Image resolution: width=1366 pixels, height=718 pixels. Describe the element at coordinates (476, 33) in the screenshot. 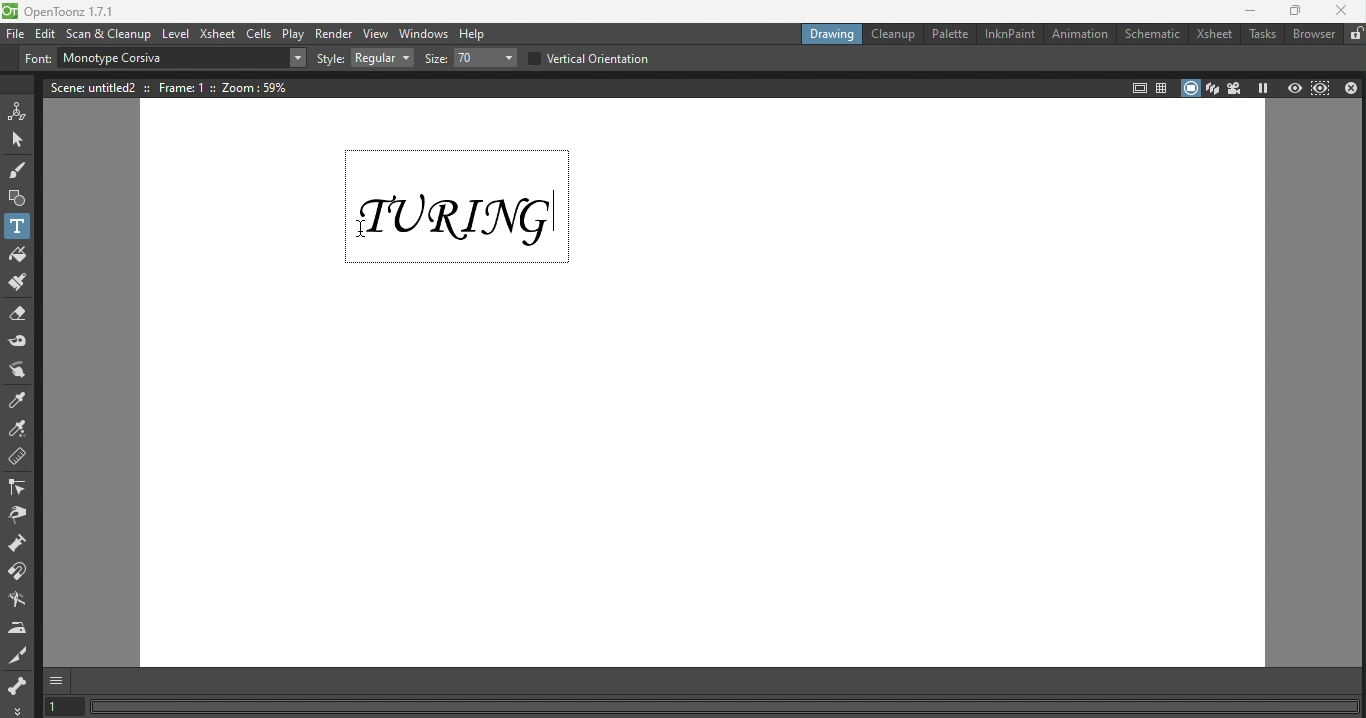

I see `Help` at that location.